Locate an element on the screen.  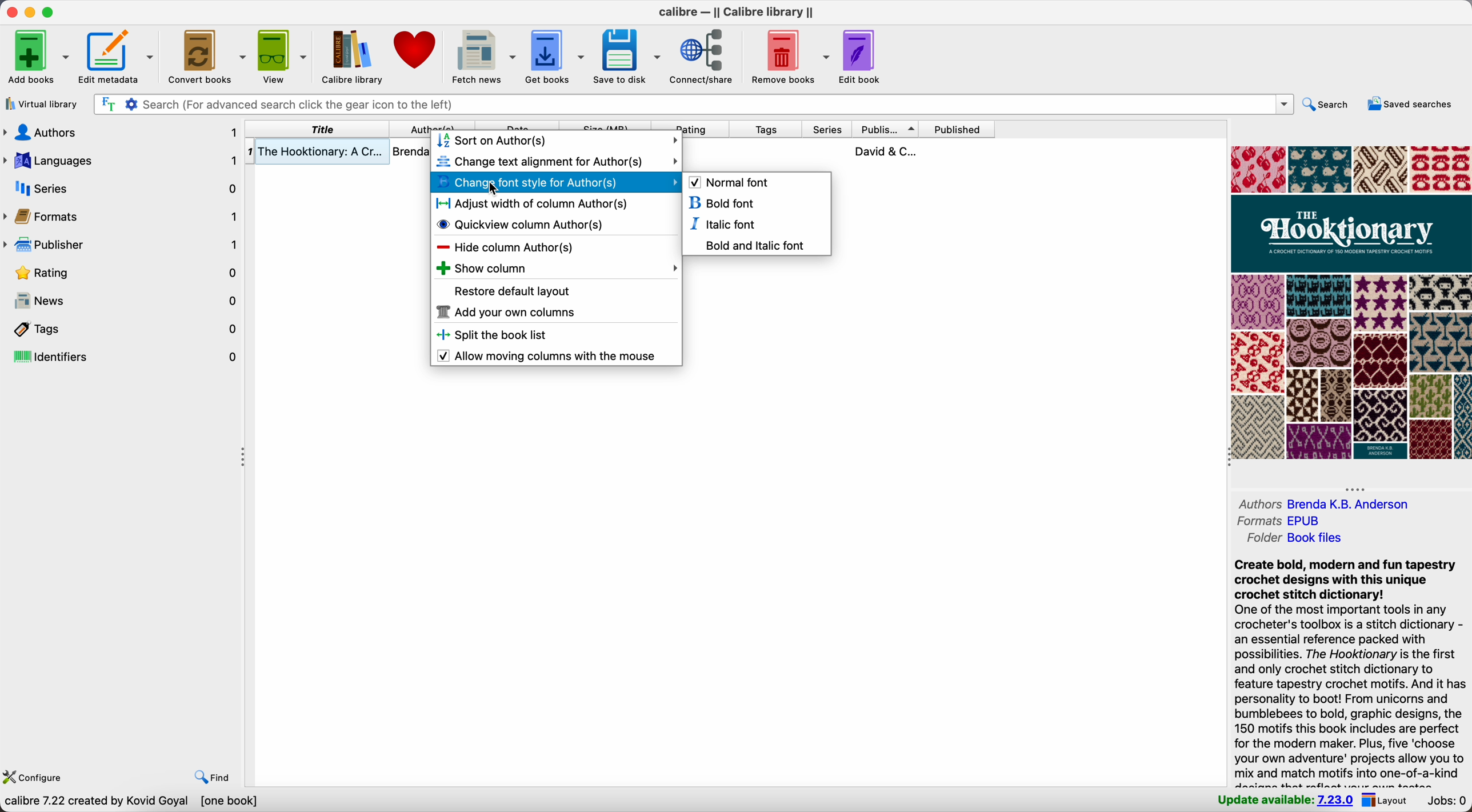
cursor is located at coordinates (488, 189).